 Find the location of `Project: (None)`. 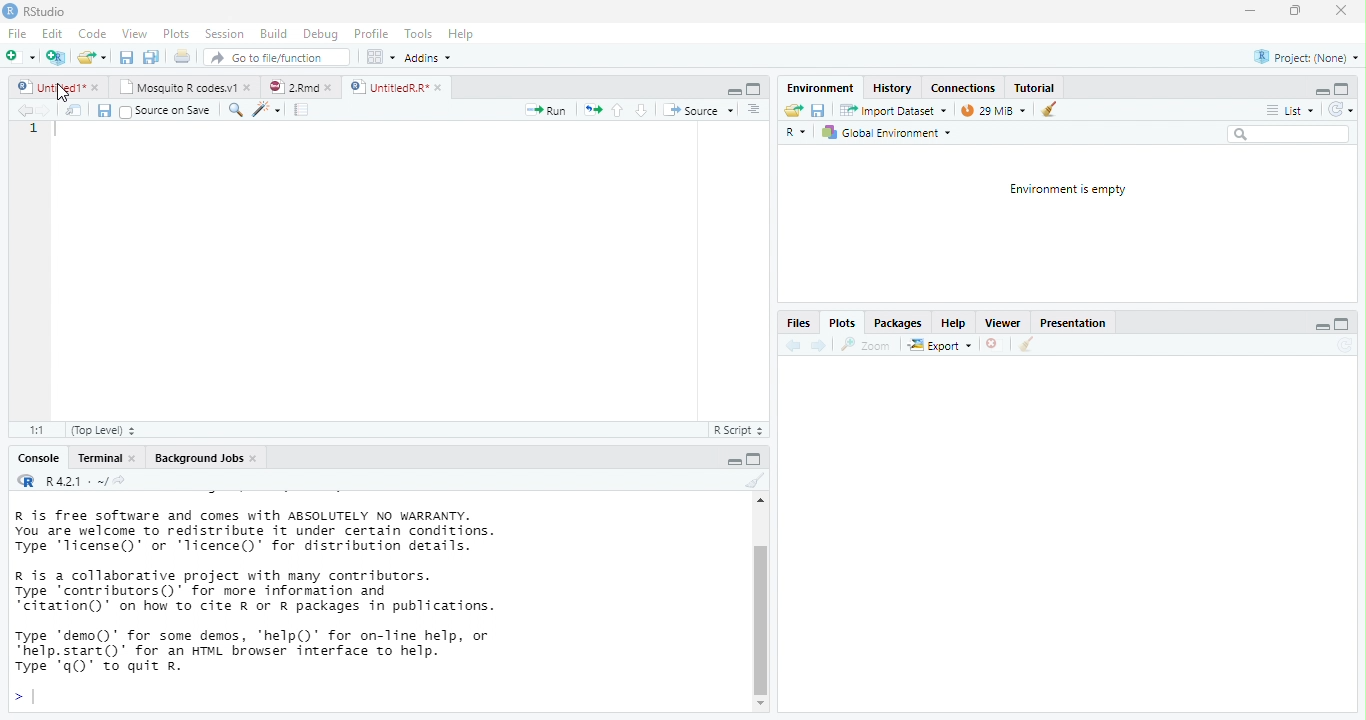

Project: (None) is located at coordinates (1307, 58).